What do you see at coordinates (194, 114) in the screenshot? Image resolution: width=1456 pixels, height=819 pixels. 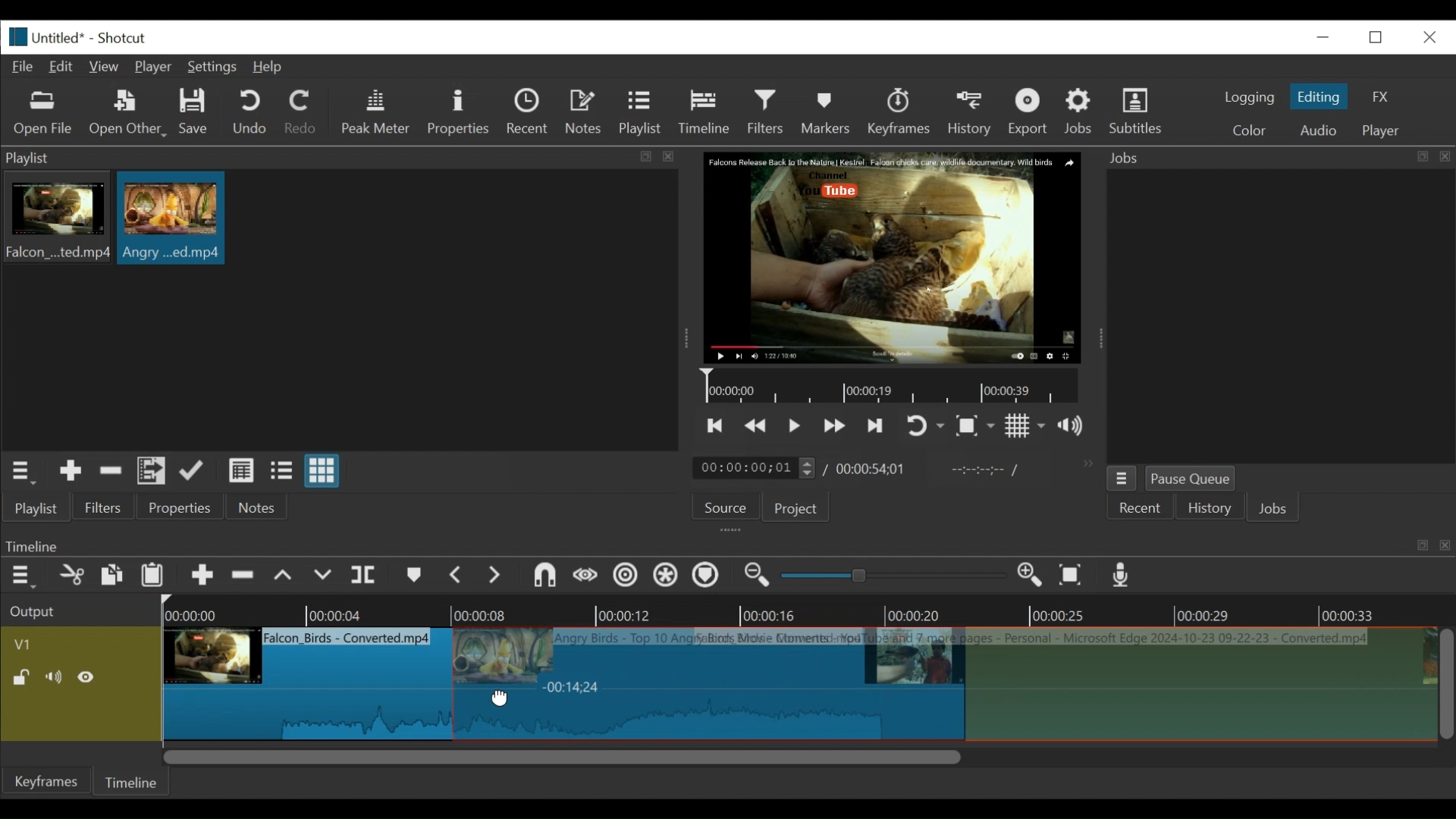 I see `Save` at bounding box center [194, 114].